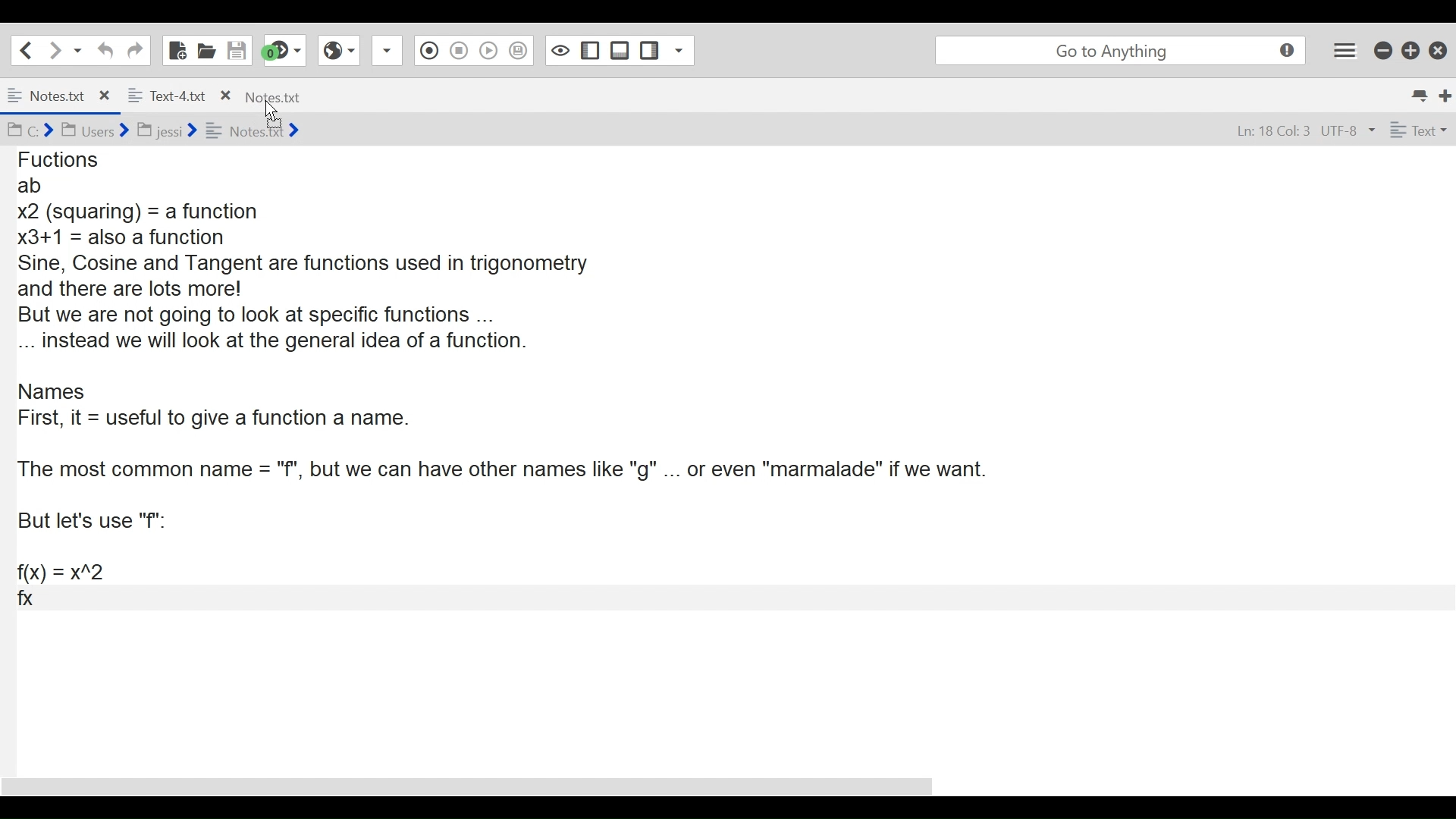  I want to click on notes.txt, so click(48, 93).